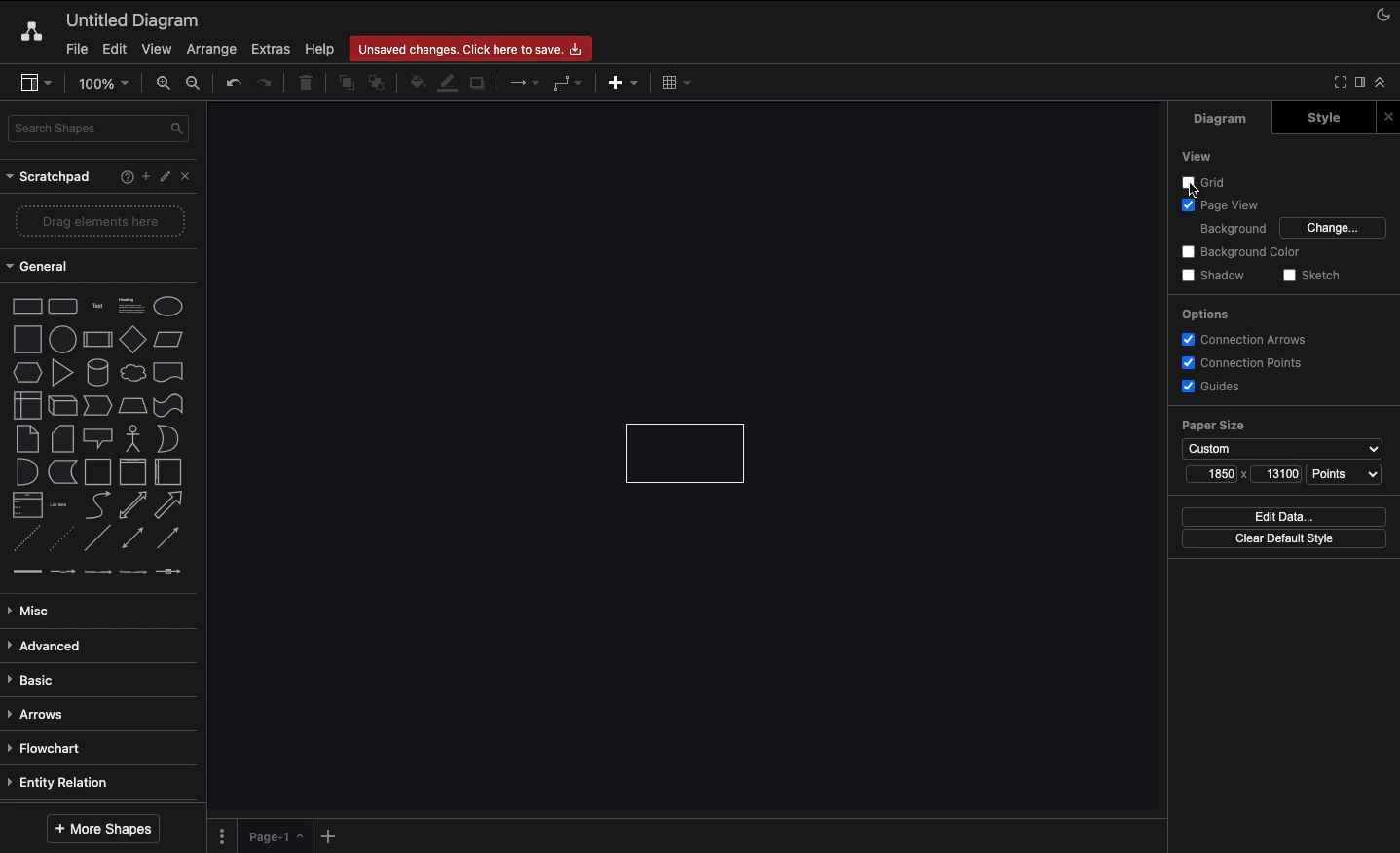 The width and height of the screenshot is (1400, 853). I want to click on Pages, so click(220, 836).